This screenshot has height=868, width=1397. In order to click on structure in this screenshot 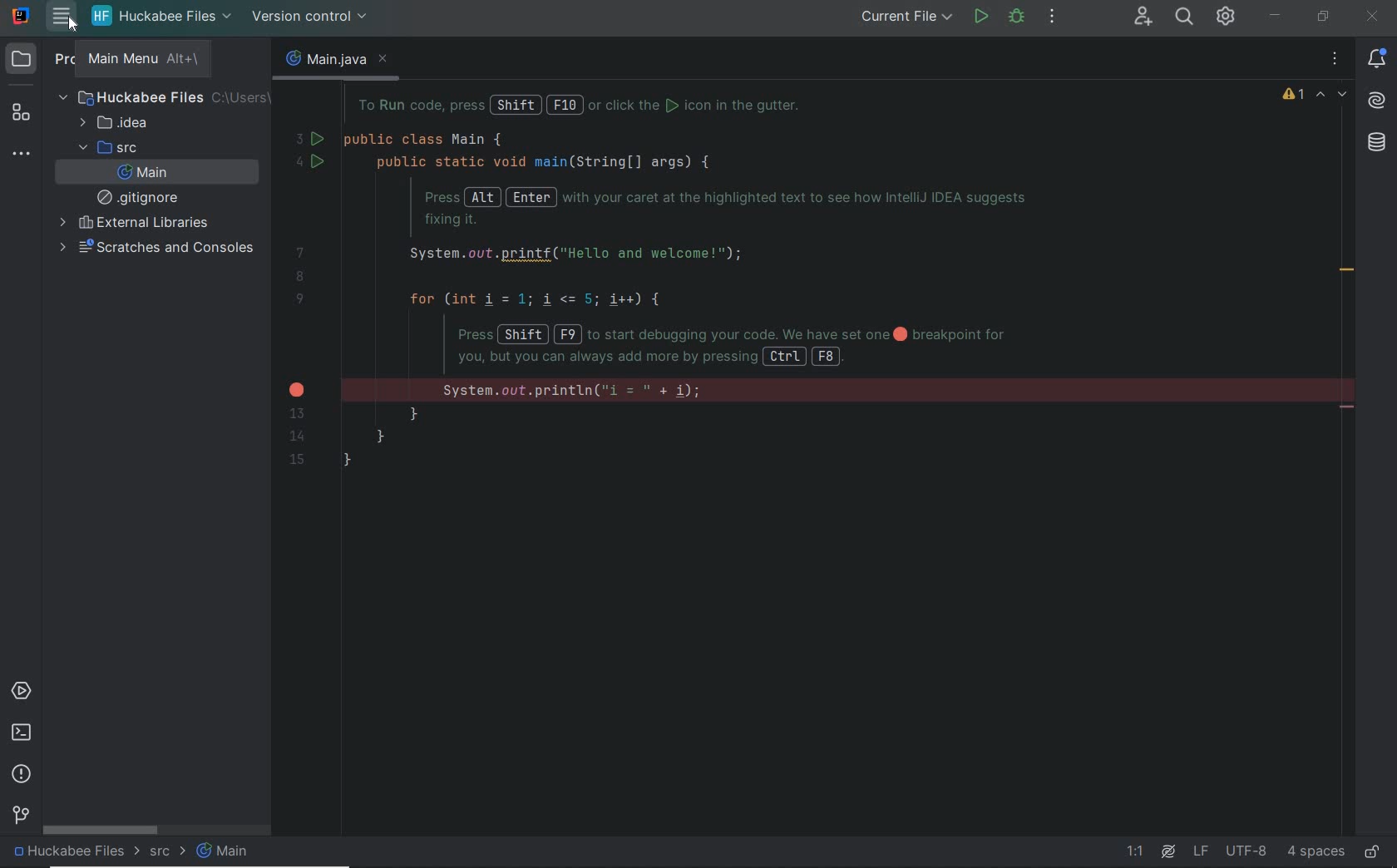, I will do `click(20, 113)`.